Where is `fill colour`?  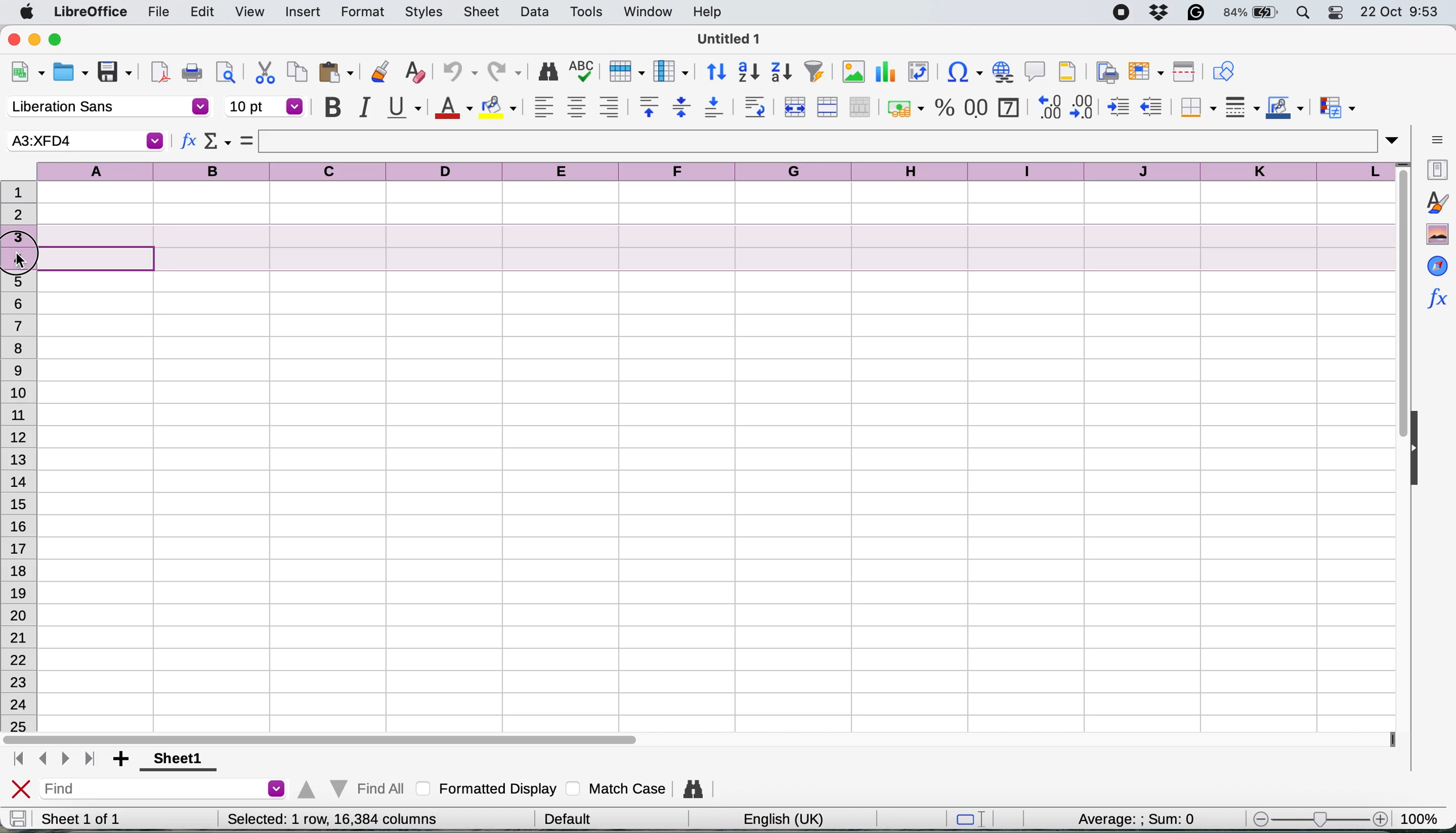
fill colour is located at coordinates (501, 108).